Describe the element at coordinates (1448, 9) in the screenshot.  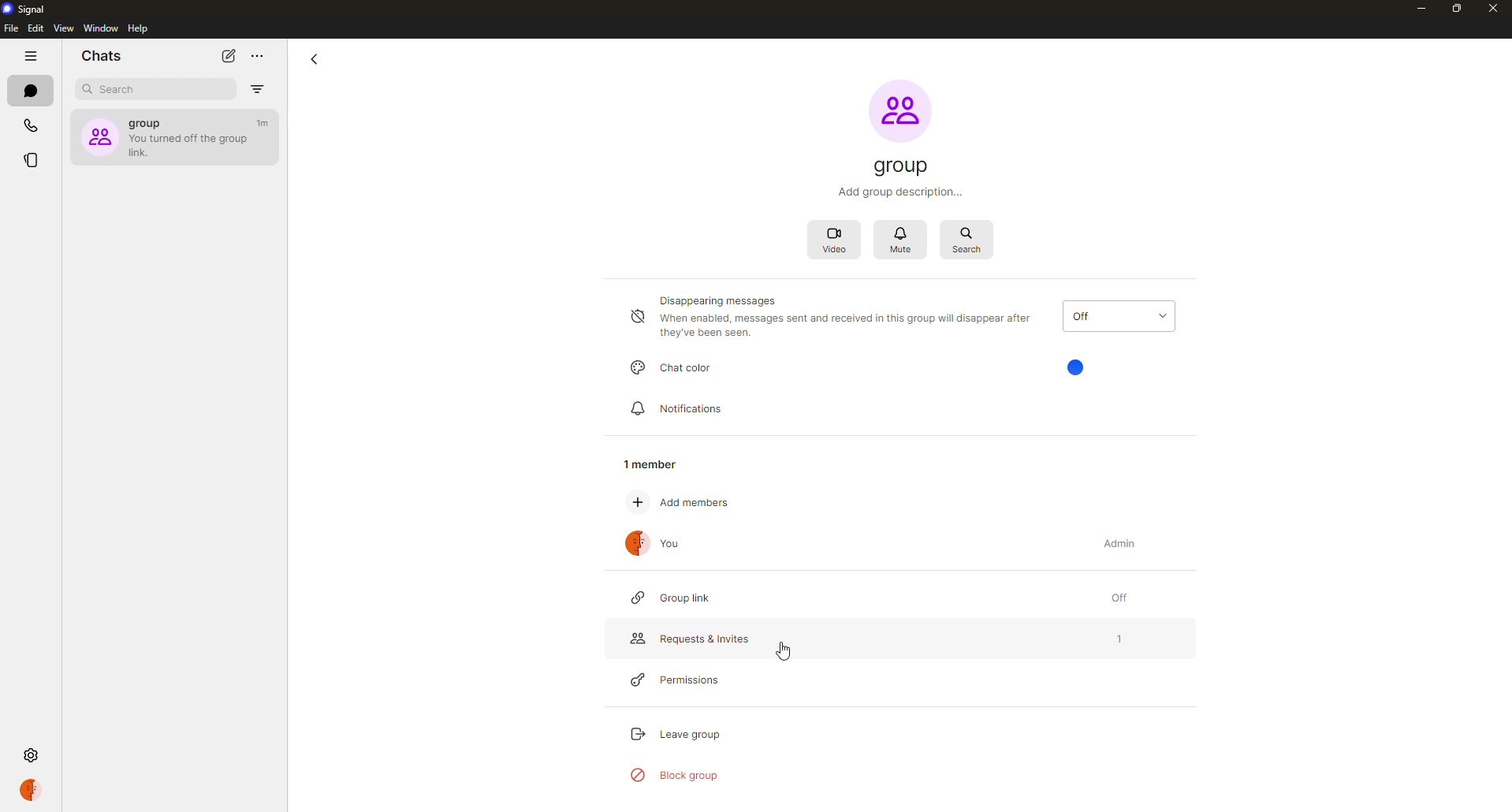
I see `maximize` at that location.